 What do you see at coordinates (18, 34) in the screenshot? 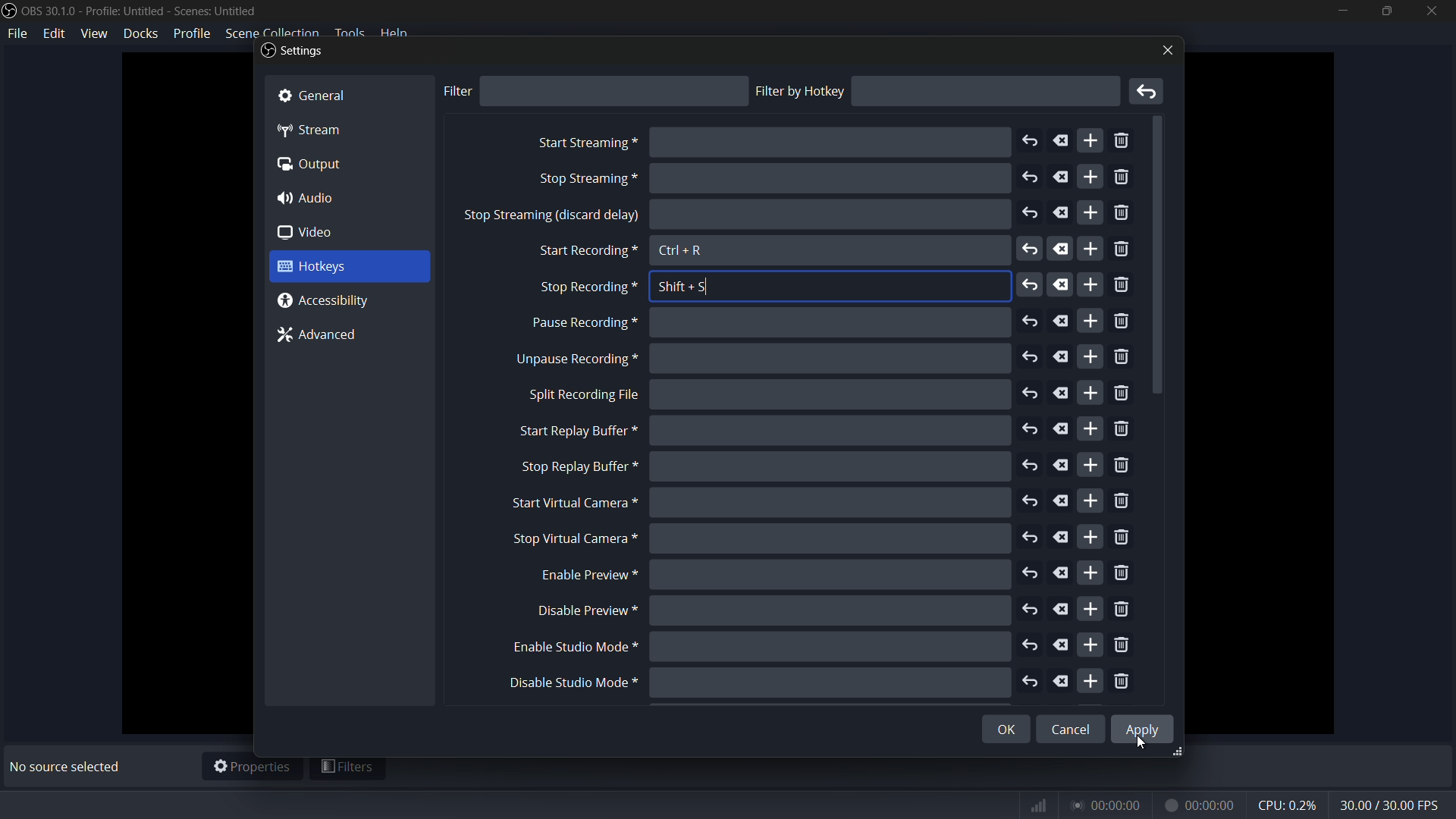
I see `file menu` at bounding box center [18, 34].